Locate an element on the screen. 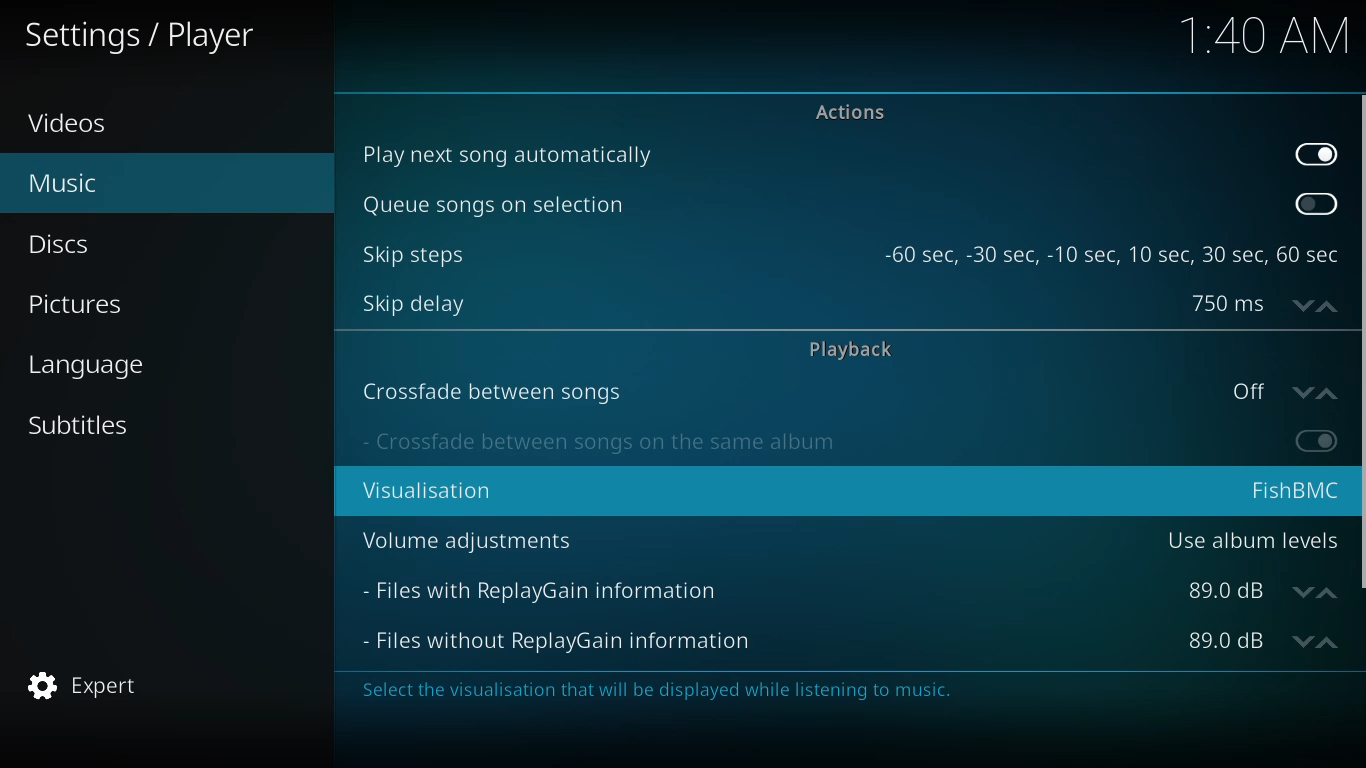 Image resolution: width=1366 pixels, height=768 pixels. db is located at coordinates (1261, 642).